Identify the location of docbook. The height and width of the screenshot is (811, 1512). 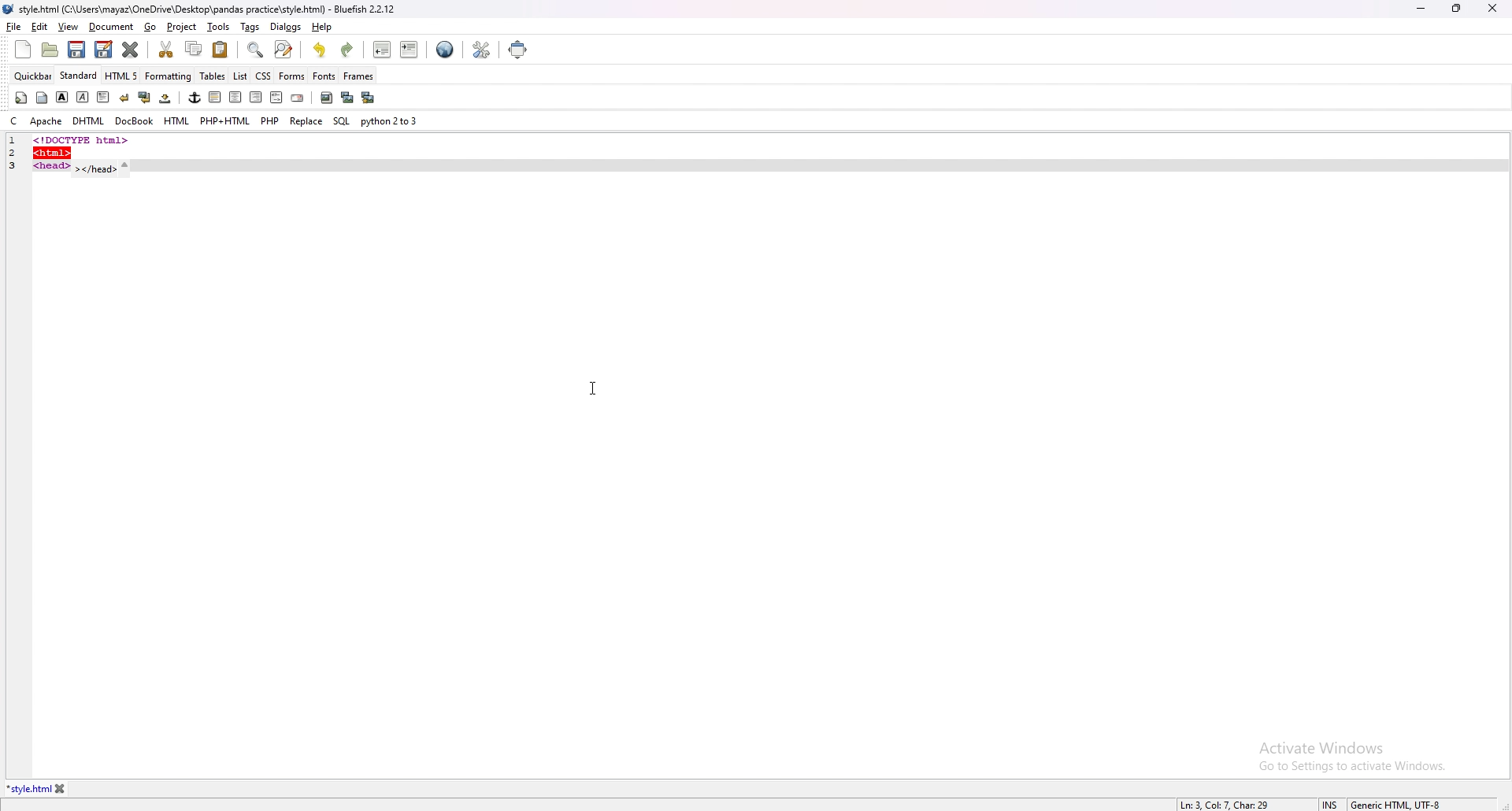
(134, 121).